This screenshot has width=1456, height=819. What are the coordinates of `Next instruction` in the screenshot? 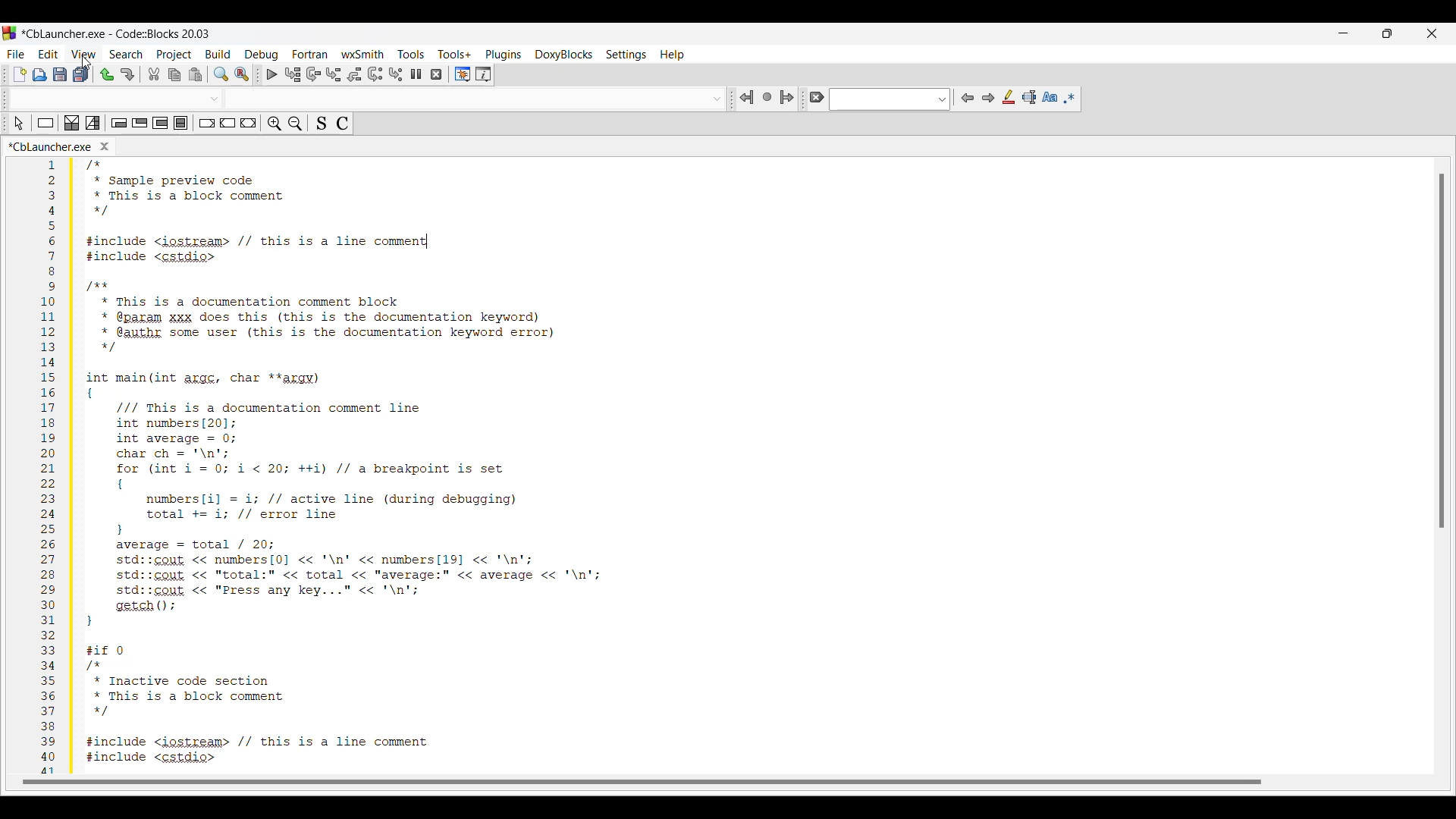 It's located at (375, 74).